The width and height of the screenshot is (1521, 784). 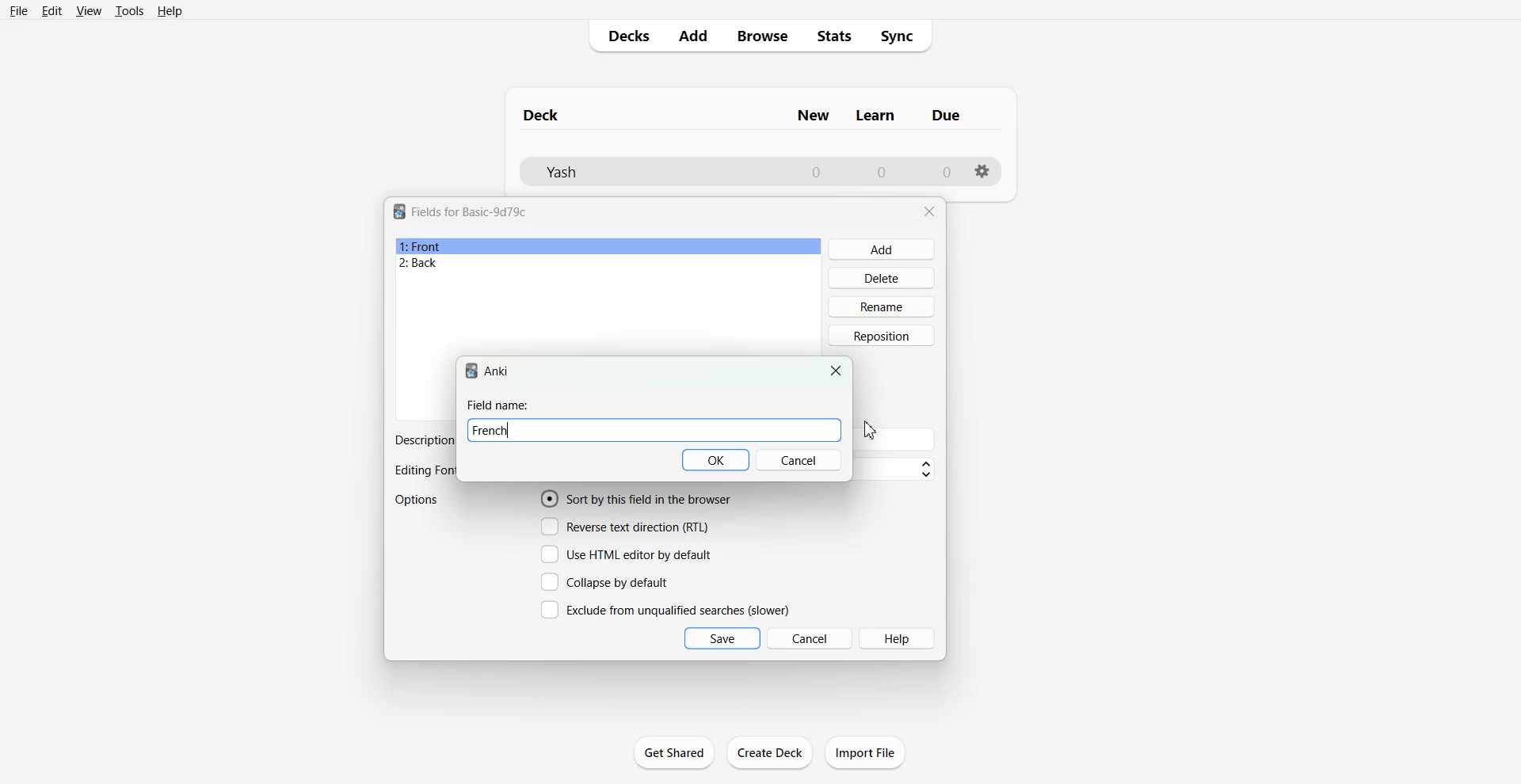 What do you see at coordinates (497, 371) in the screenshot?
I see `Text` at bounding box center [497, 371].